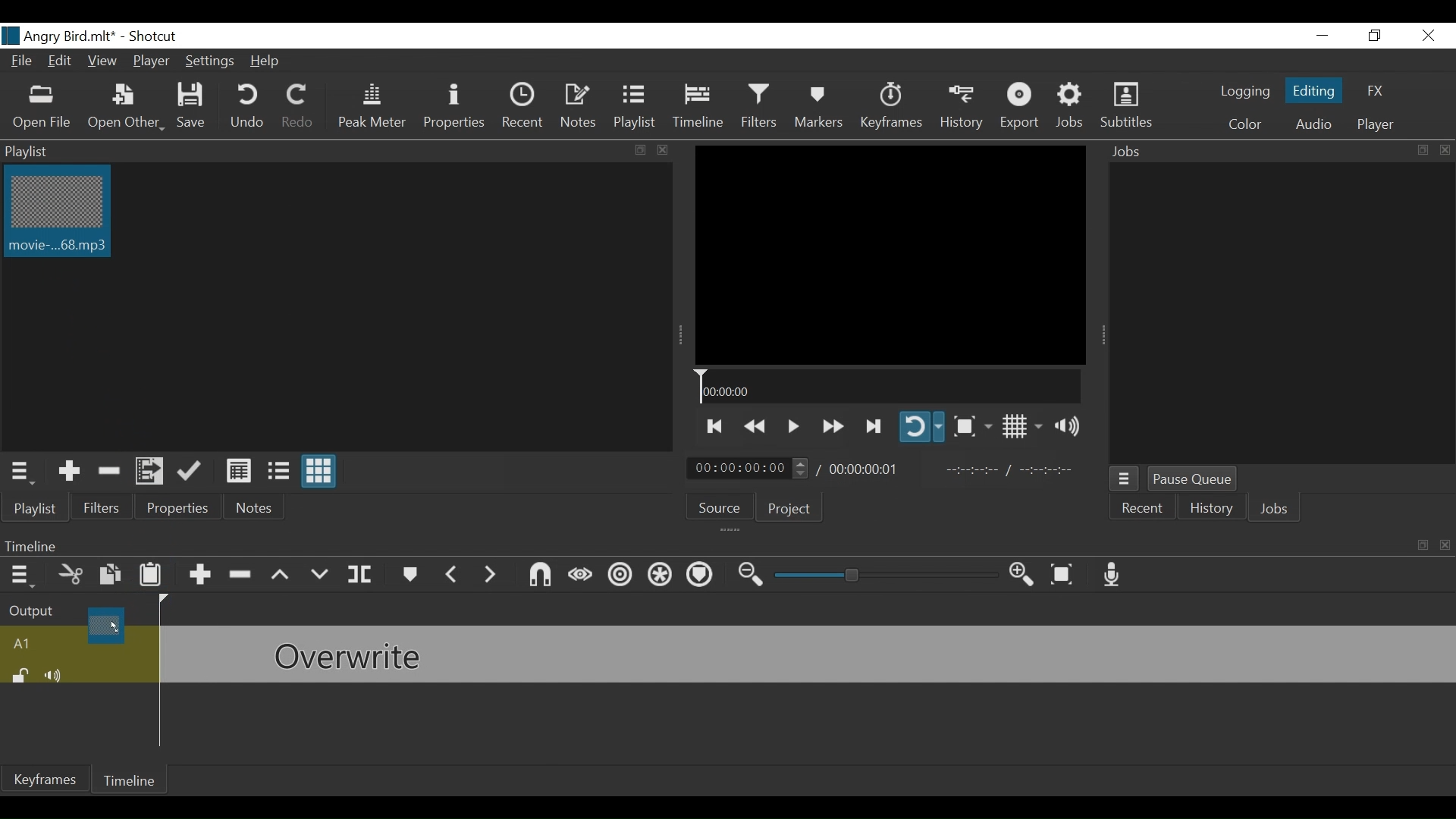  I want to click on Copy, so click(110, 574).